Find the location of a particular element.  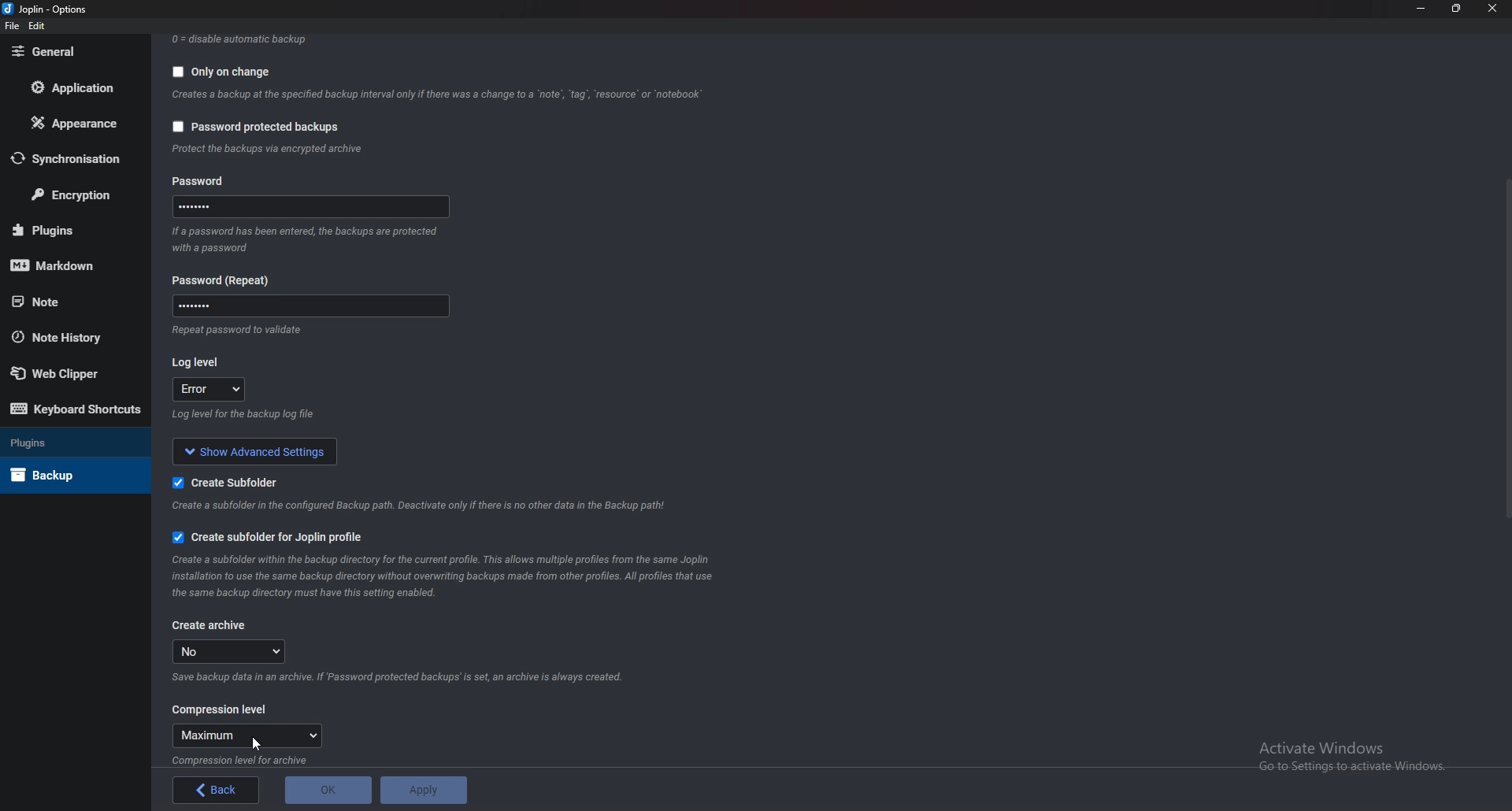

file is located at coordinates (13, 26).